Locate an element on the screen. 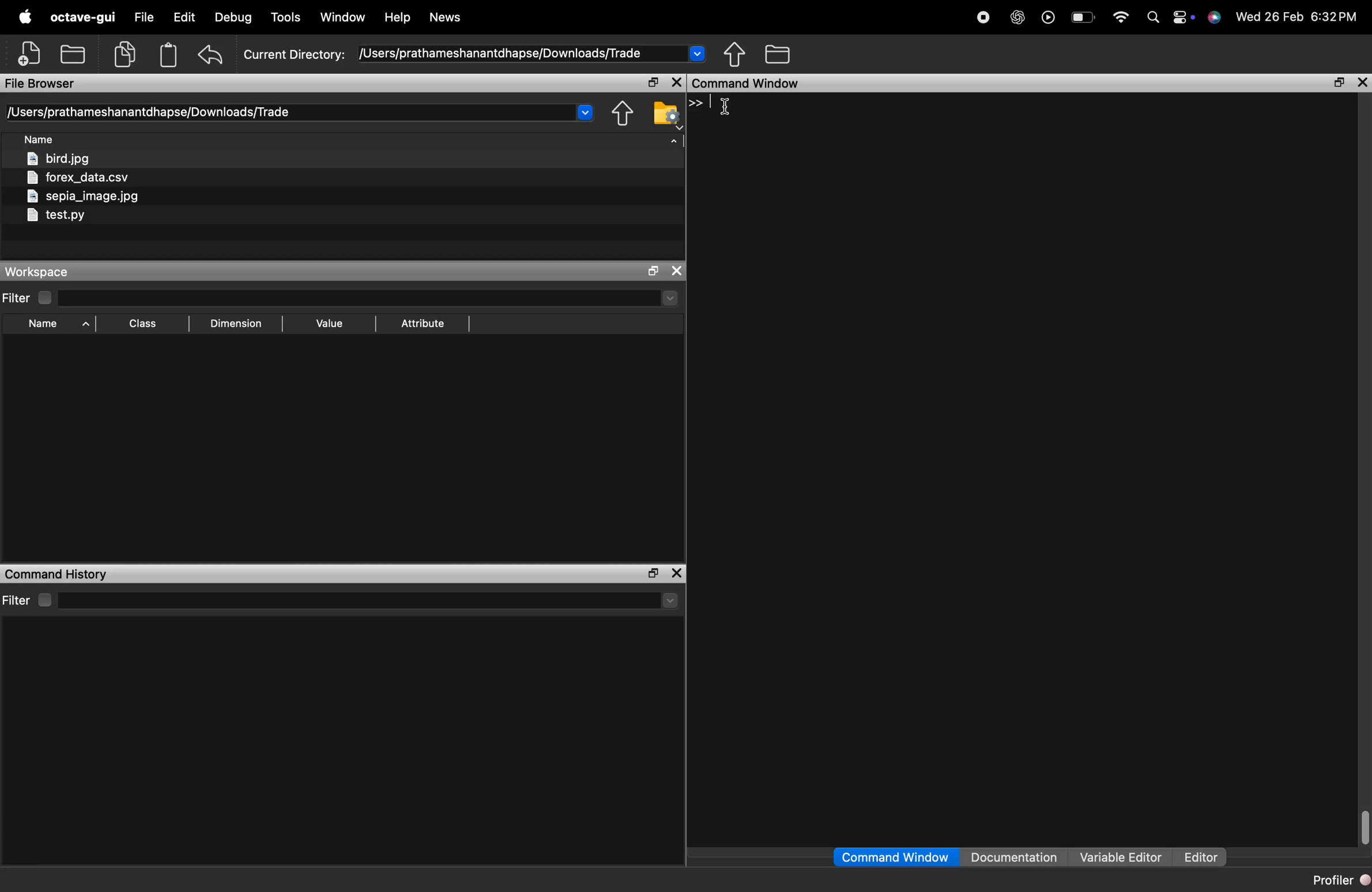 This screenshot has height=892, width=1372. file browser is located at coordinates (41, 84).